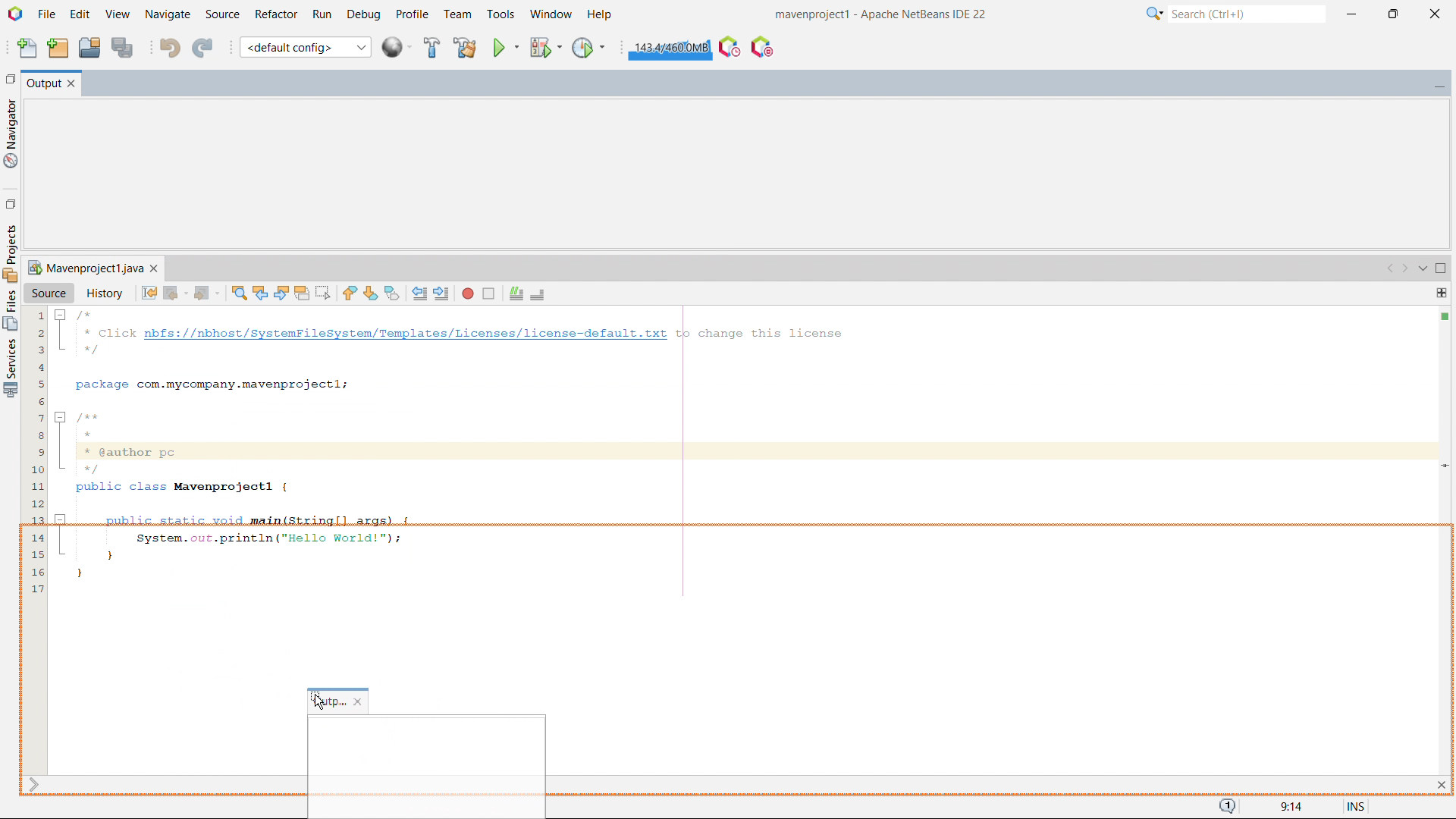 The image size is (1456, 819). What do you see at coordinates (420, 293) in the screenshot?
I see `shift line left` at bounding box center [420, 293].